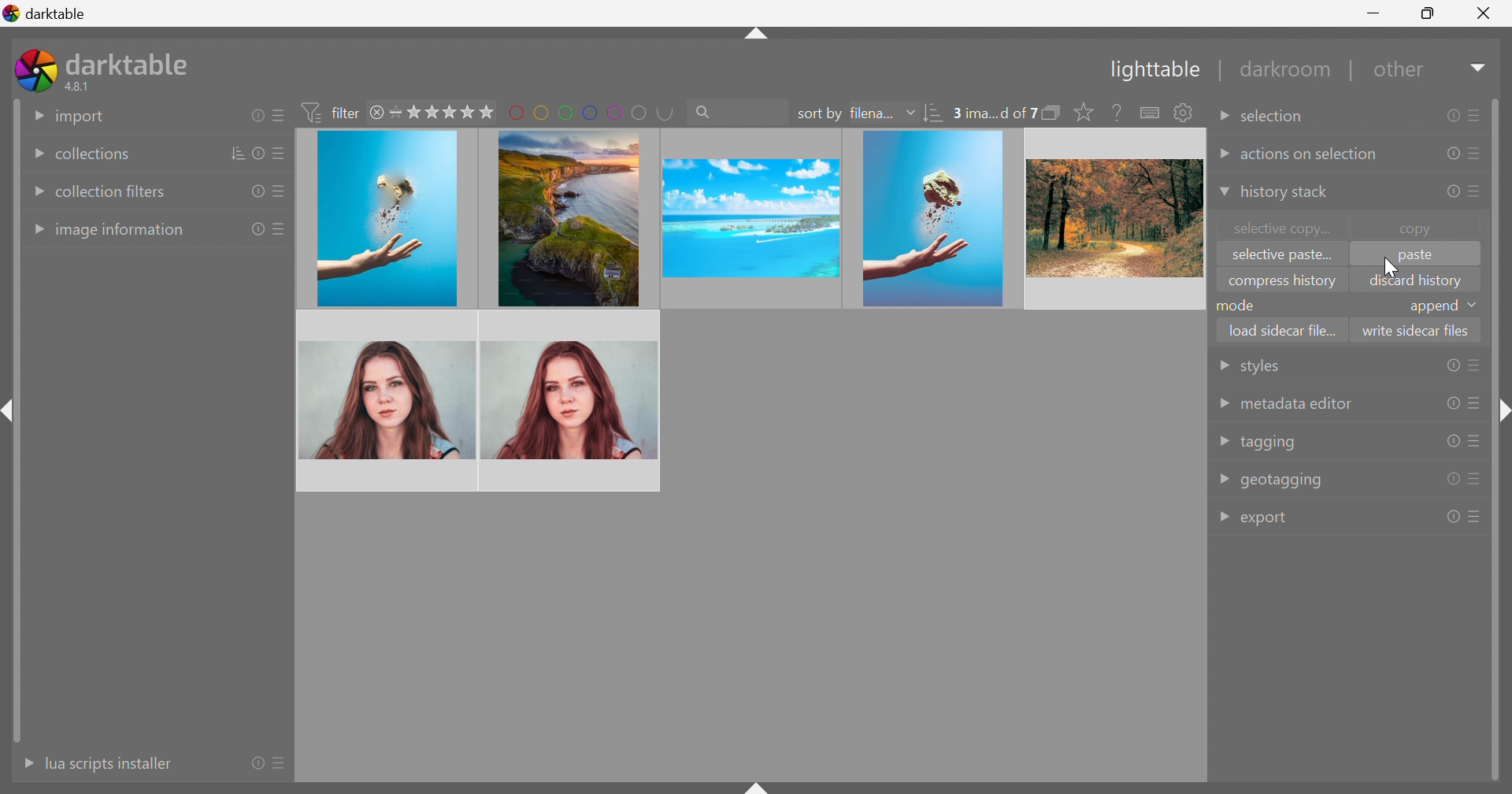 This screenshot has height=794, width=1512. What do you see at coordinates (1452, 440) in the screenshot?
I see `reset` at bounding box center [1452, 440].